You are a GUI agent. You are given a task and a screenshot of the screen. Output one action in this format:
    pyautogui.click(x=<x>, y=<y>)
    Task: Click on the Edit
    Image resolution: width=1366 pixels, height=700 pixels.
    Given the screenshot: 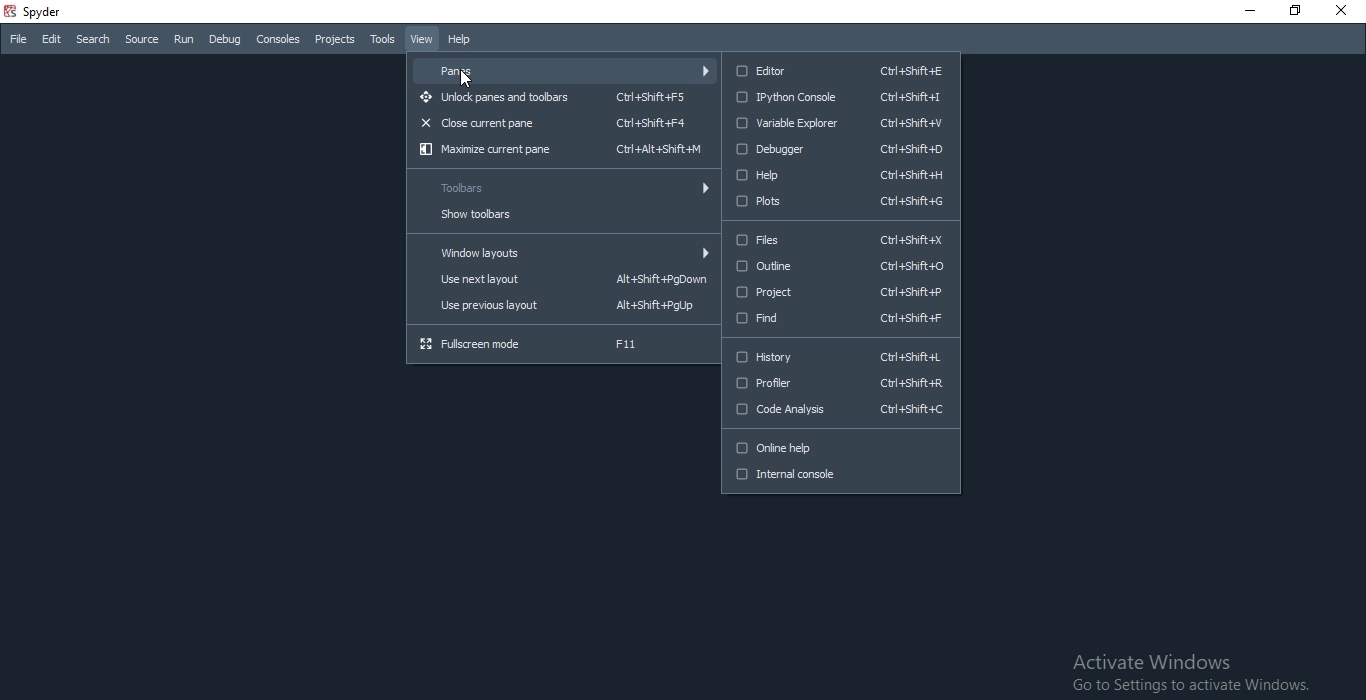 What is the action you would take?
    pyautogui.click(x=53, y=41)
    